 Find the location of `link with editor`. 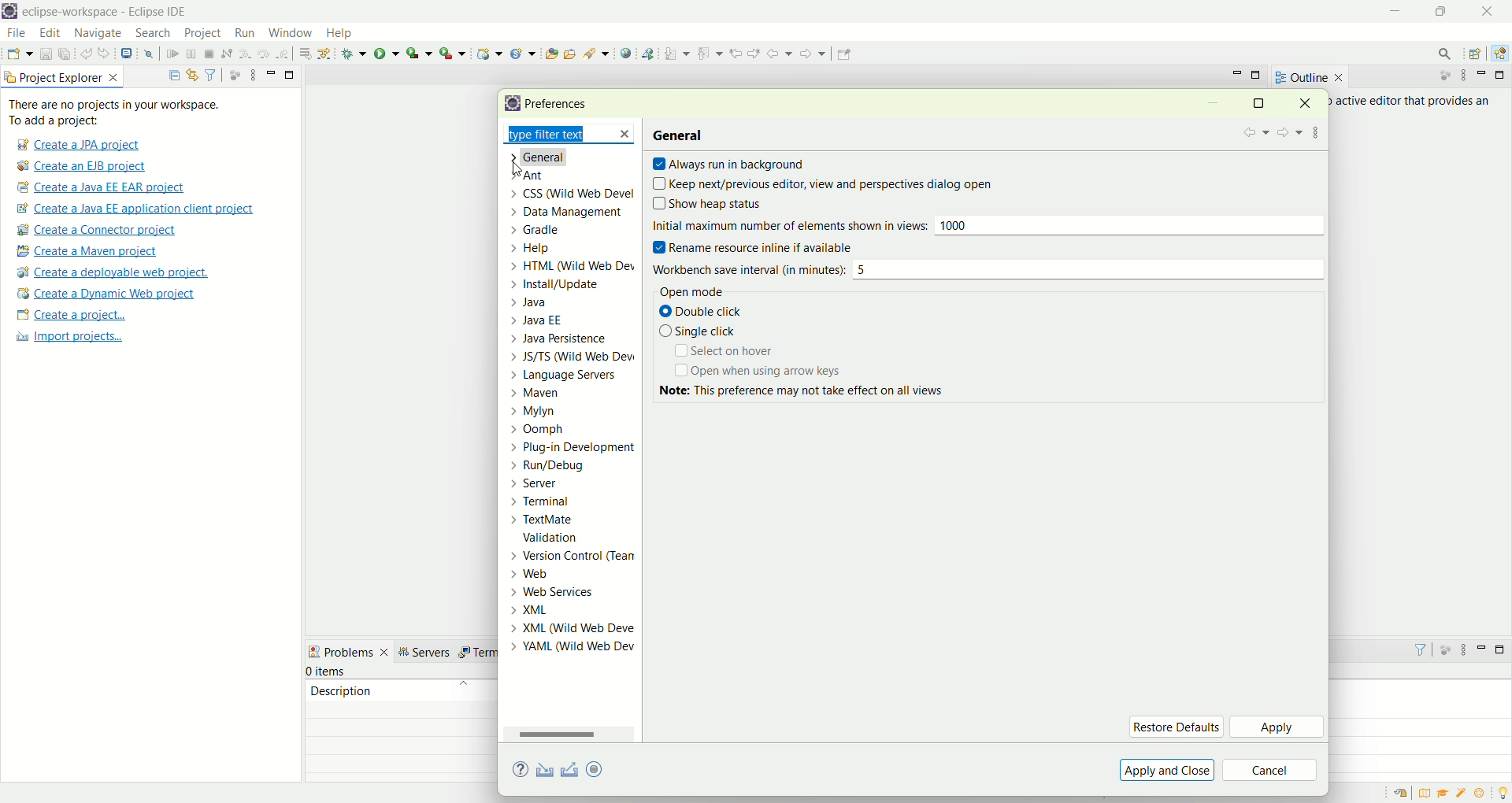

link with editor is located at coordinates (193, 75).